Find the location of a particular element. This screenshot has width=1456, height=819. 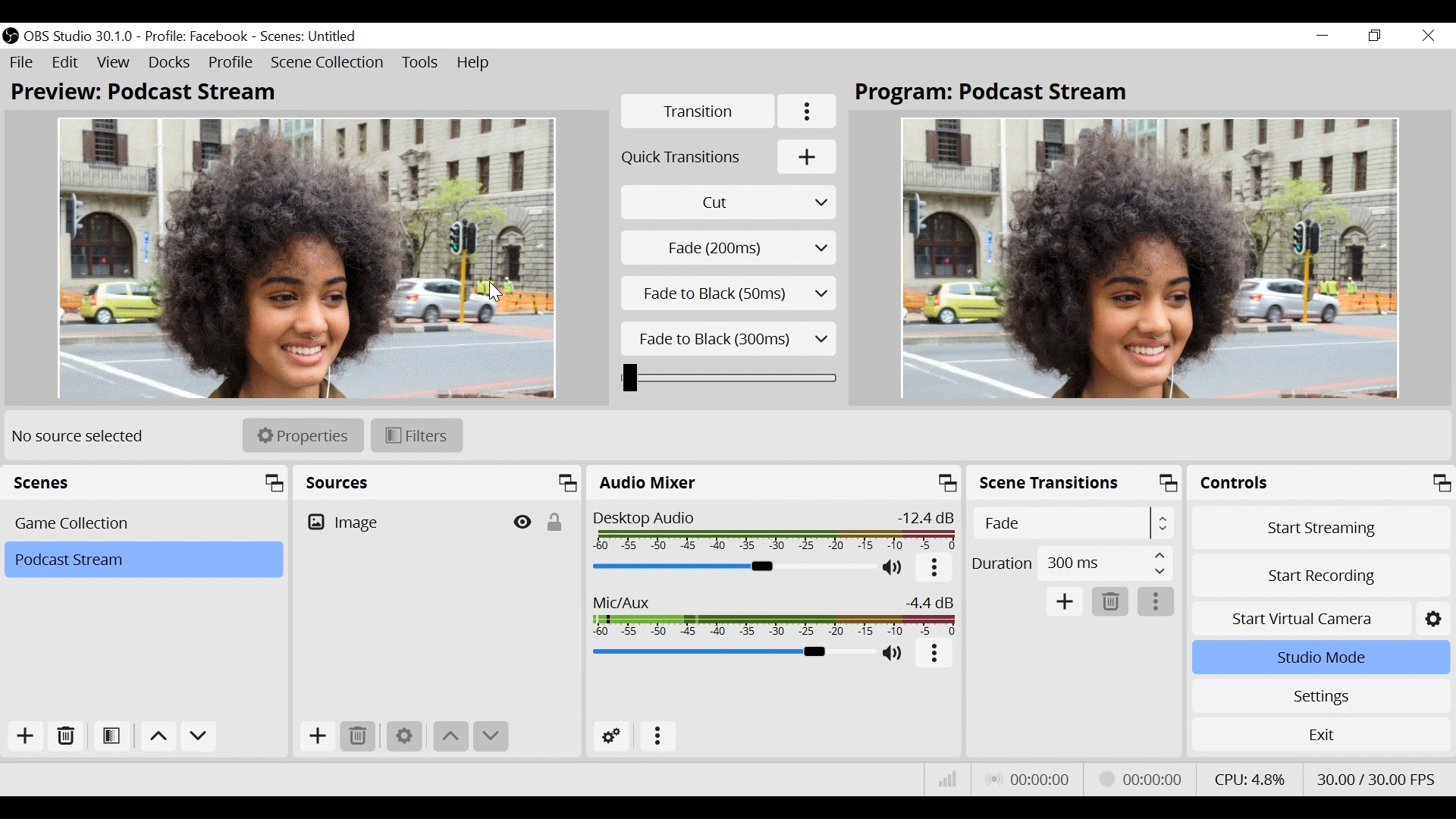

CPU Usage is located at coordinates (1252, 776).